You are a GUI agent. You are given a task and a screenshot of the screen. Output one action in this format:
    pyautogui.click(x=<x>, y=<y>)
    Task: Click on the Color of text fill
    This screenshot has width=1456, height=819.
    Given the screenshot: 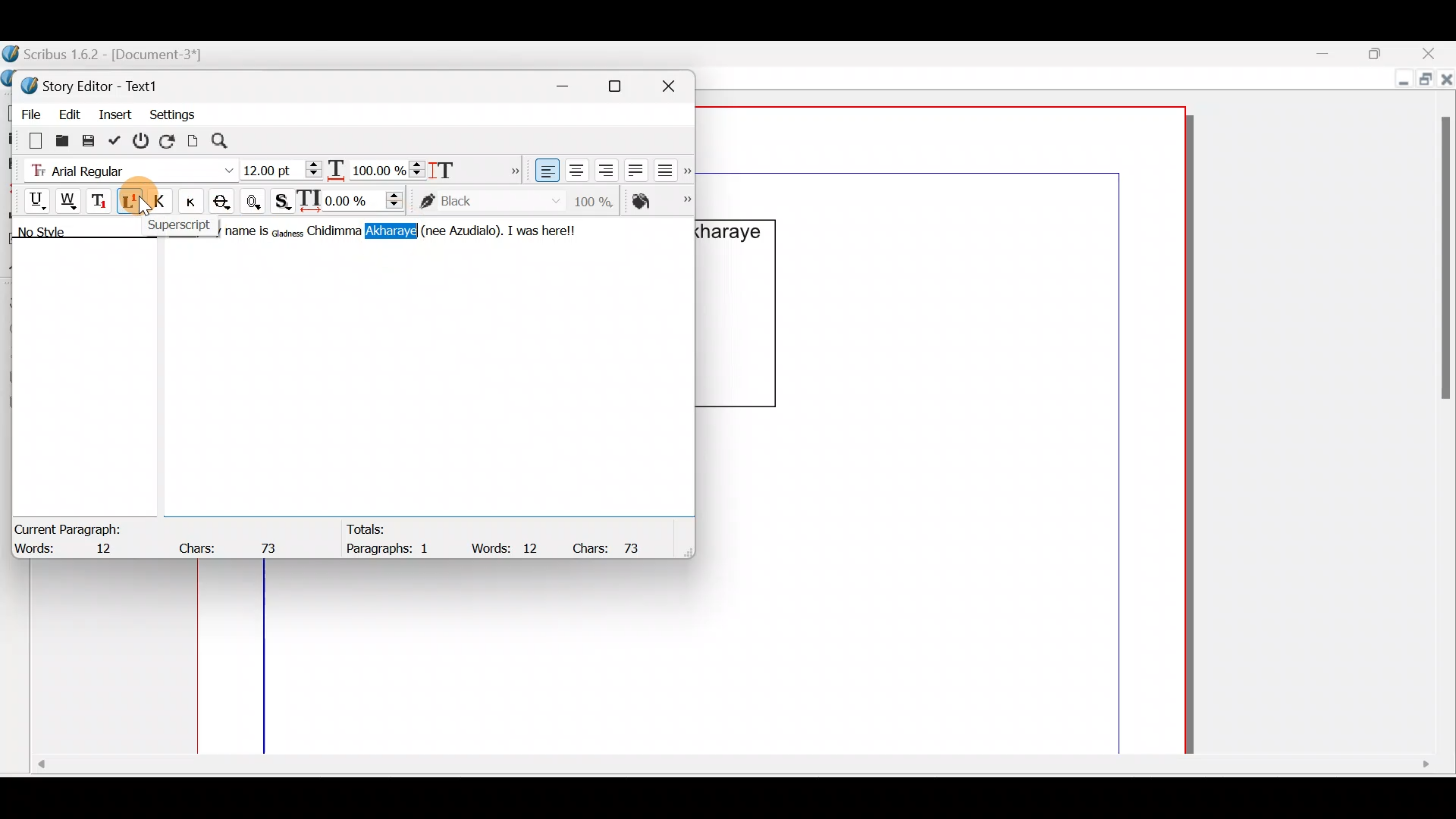 What is the action you would take?
    pyautogui.click(x=660, y=201)
    